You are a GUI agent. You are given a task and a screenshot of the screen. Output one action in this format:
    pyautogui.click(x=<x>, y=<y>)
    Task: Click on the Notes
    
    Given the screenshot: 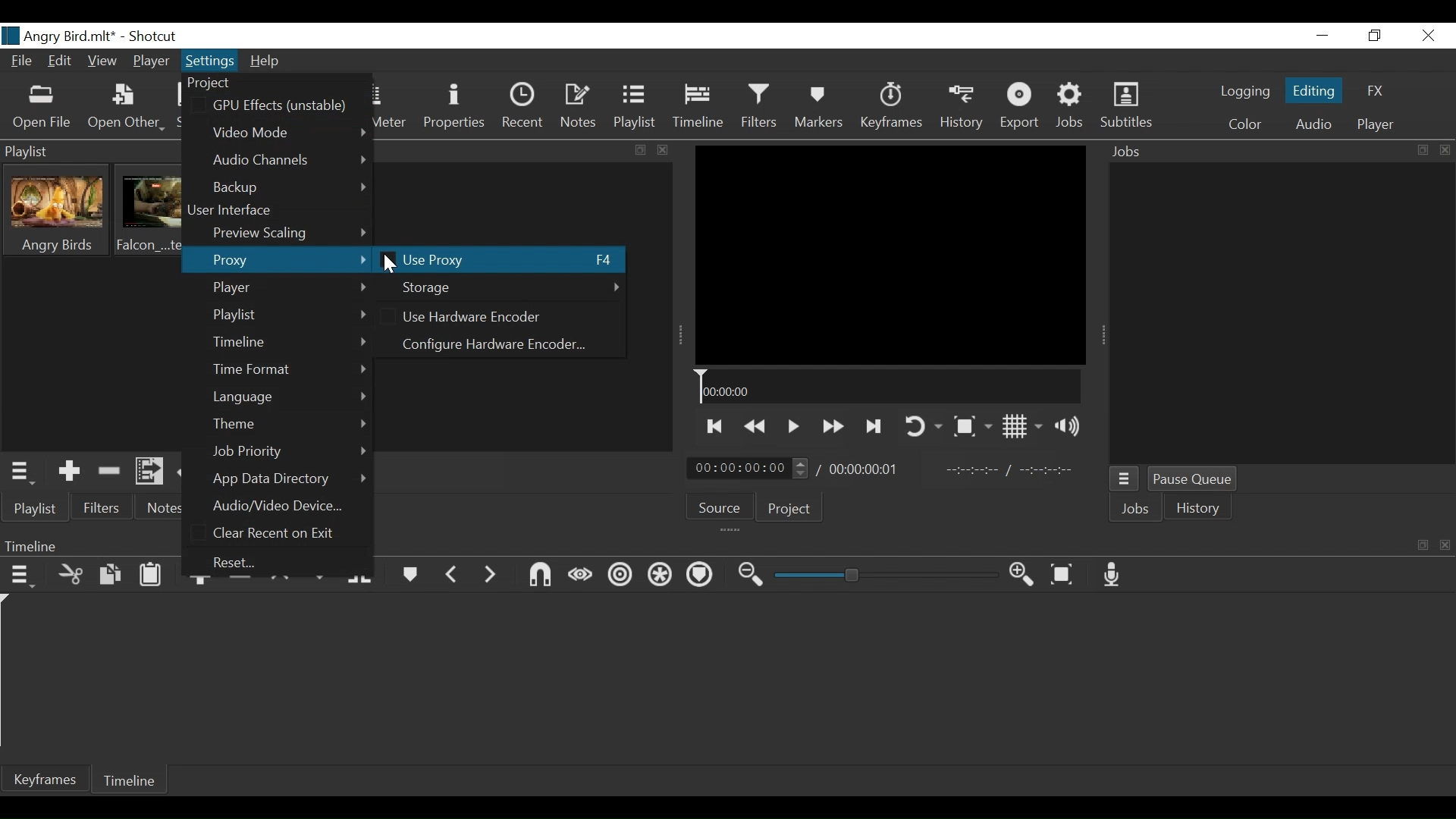 What is the action you would take?
    pyautogui.click(x=582, y=105)
    